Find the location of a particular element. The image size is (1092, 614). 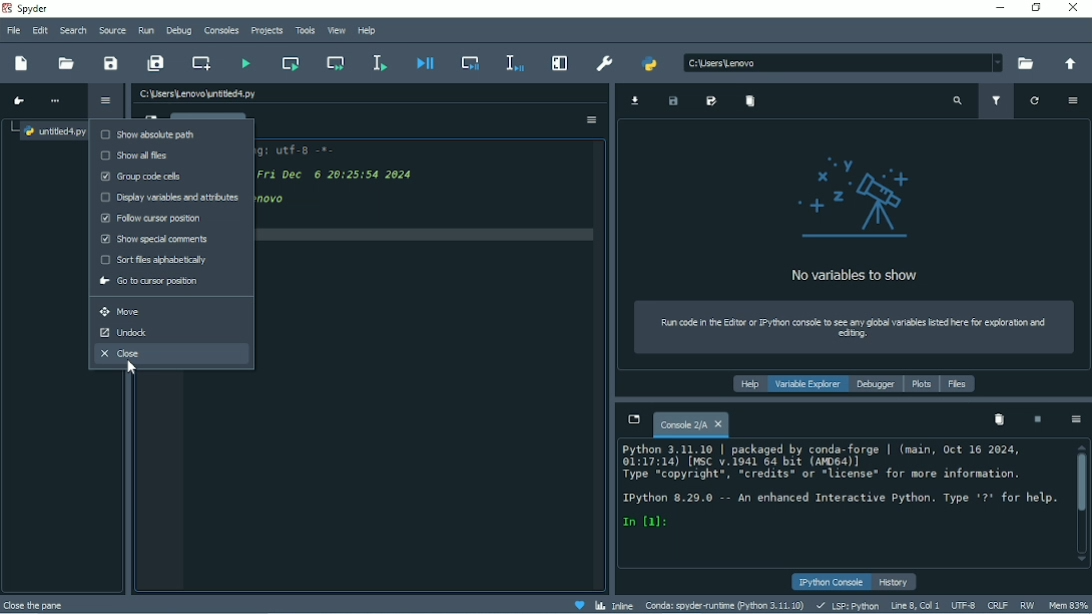

Browse tabs is located at coordinates (152, 118).